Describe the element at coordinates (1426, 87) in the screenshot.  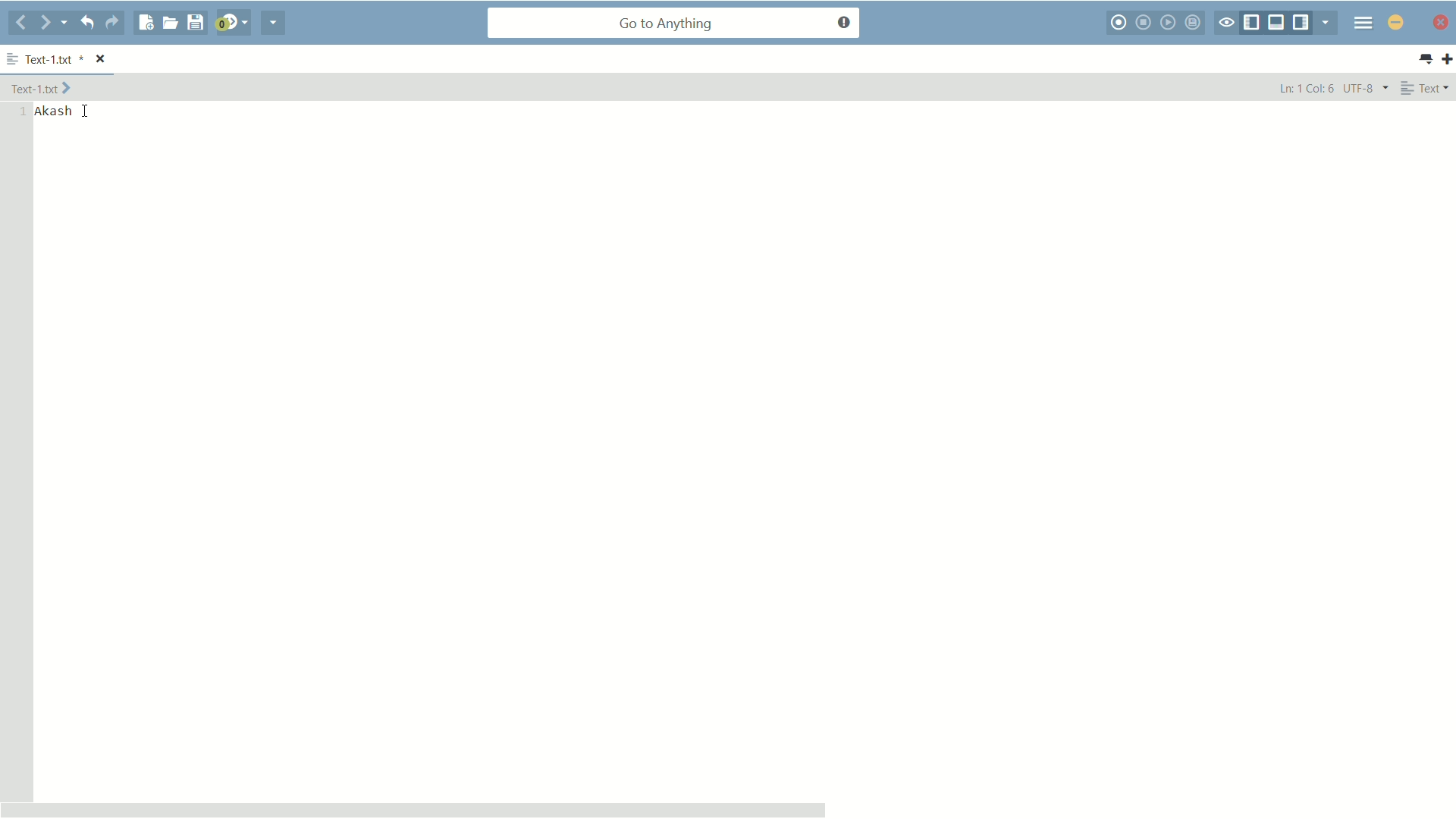
I see `file type` at that location.